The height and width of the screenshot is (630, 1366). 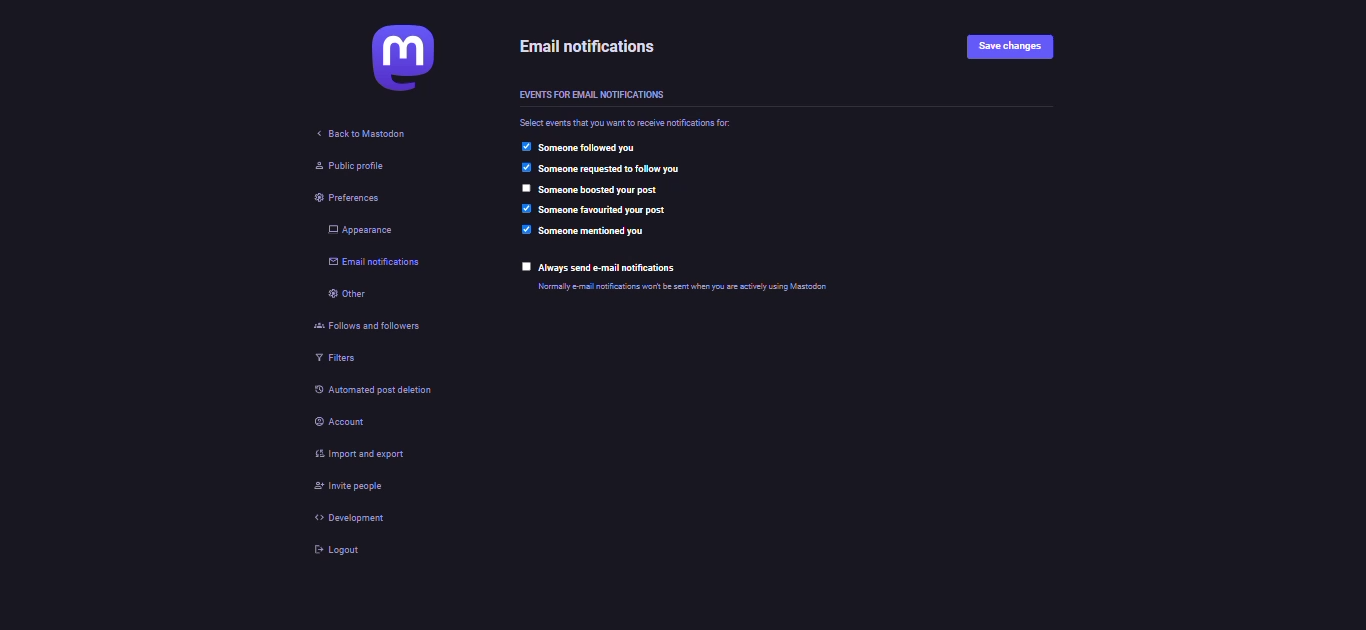 I want to click on filters, so click(x=328, y=360).